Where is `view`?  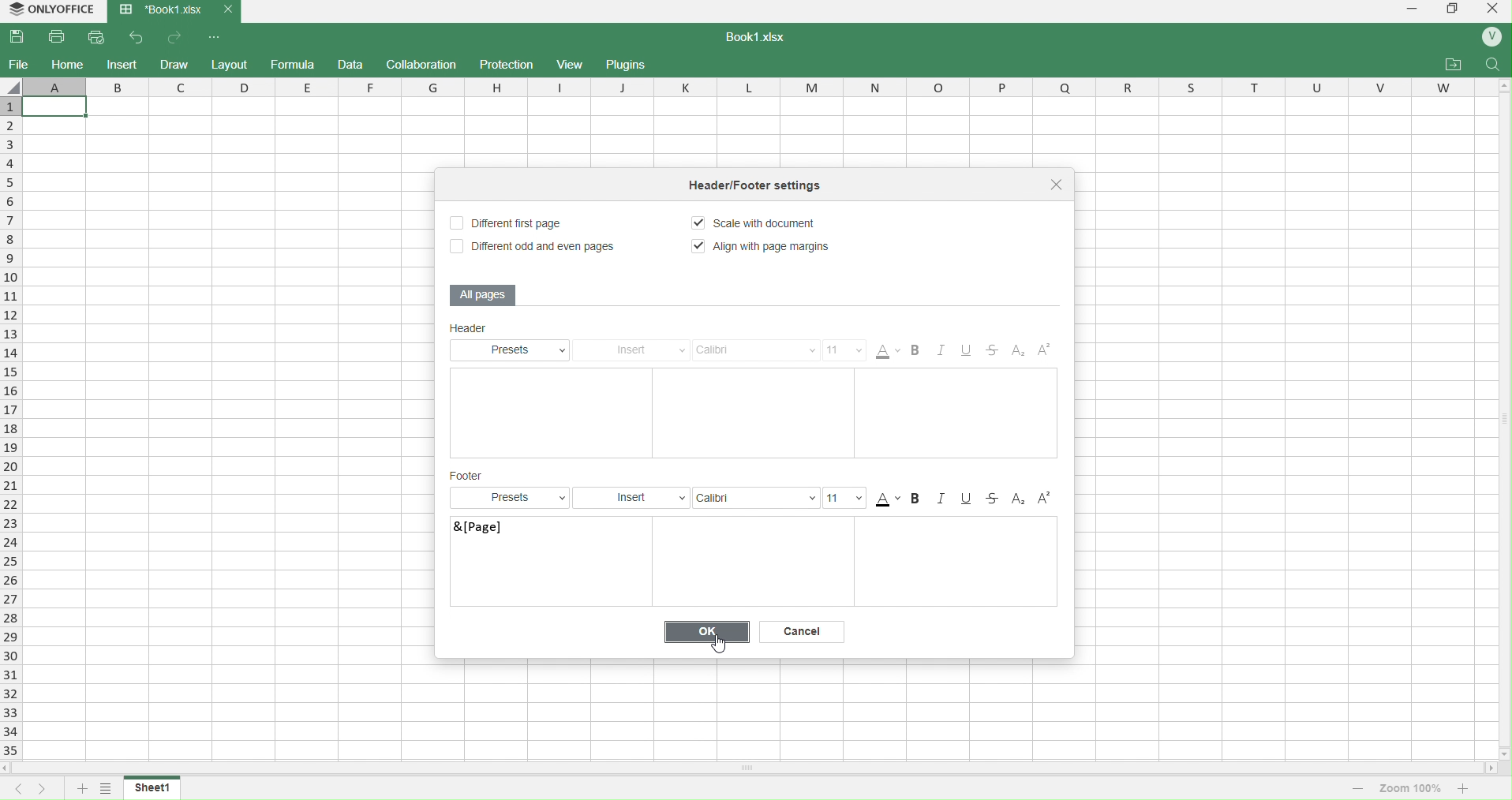
view is located at coordinates (571, 65).